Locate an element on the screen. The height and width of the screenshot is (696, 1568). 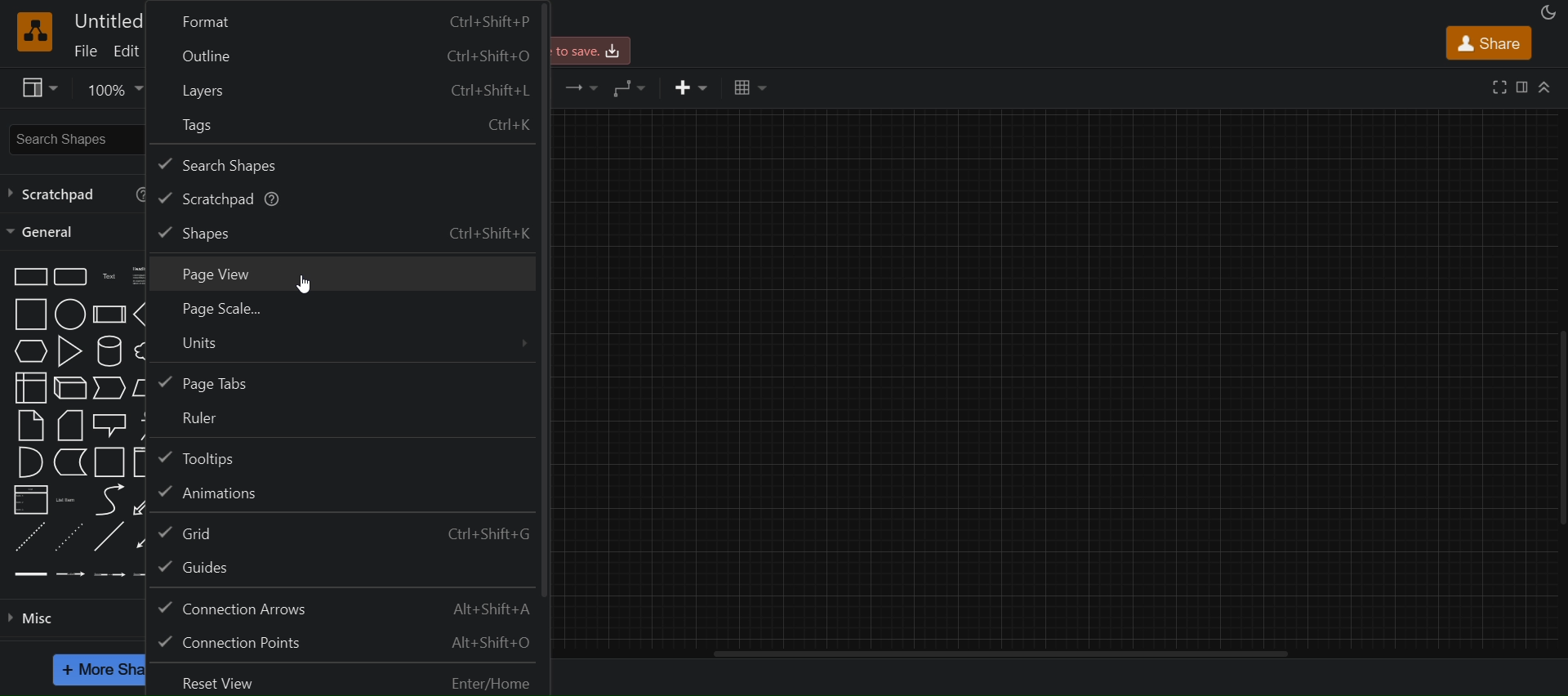
connection points is located at coordinates (349, 642).